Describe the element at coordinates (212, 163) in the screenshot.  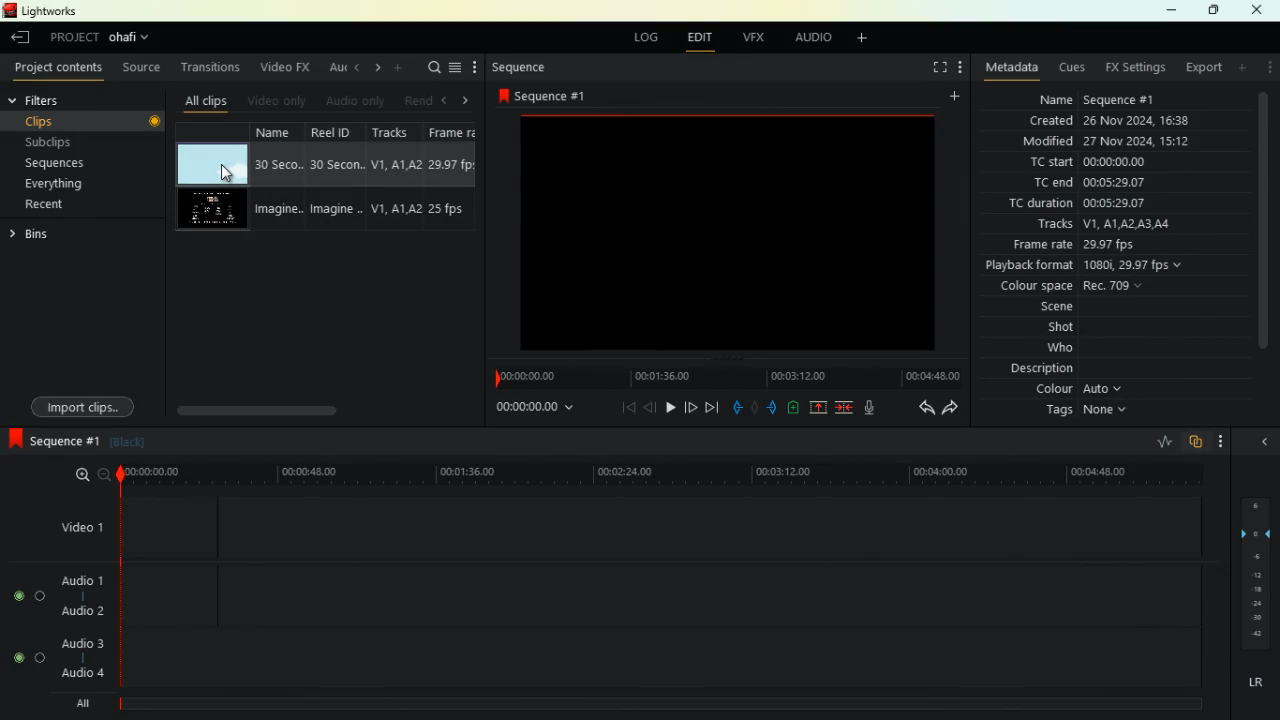
I see `video` at that location.